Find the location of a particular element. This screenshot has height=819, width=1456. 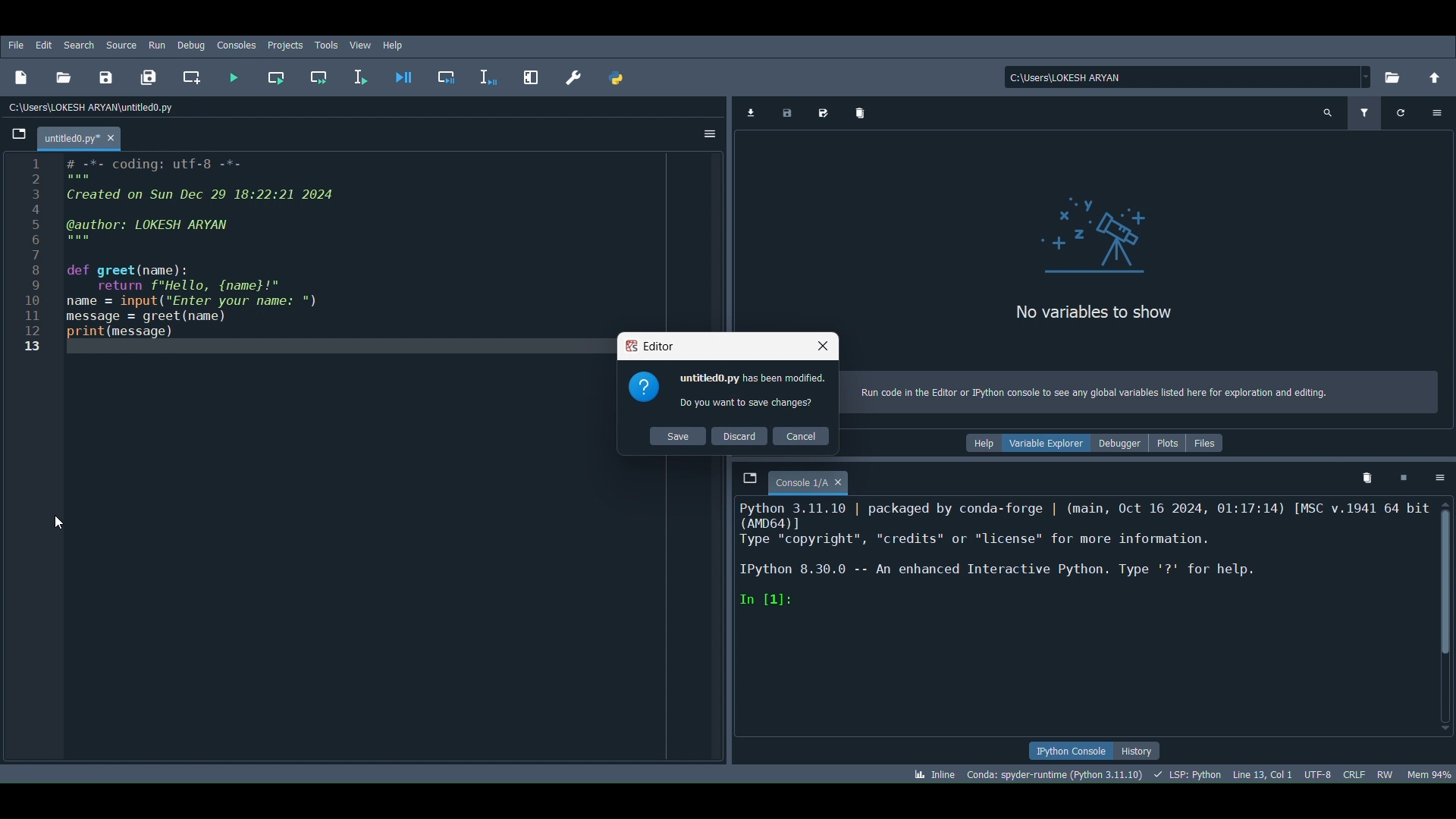

Save all files (Ctrl + Alt + S) is located at coordinates (149, 75).